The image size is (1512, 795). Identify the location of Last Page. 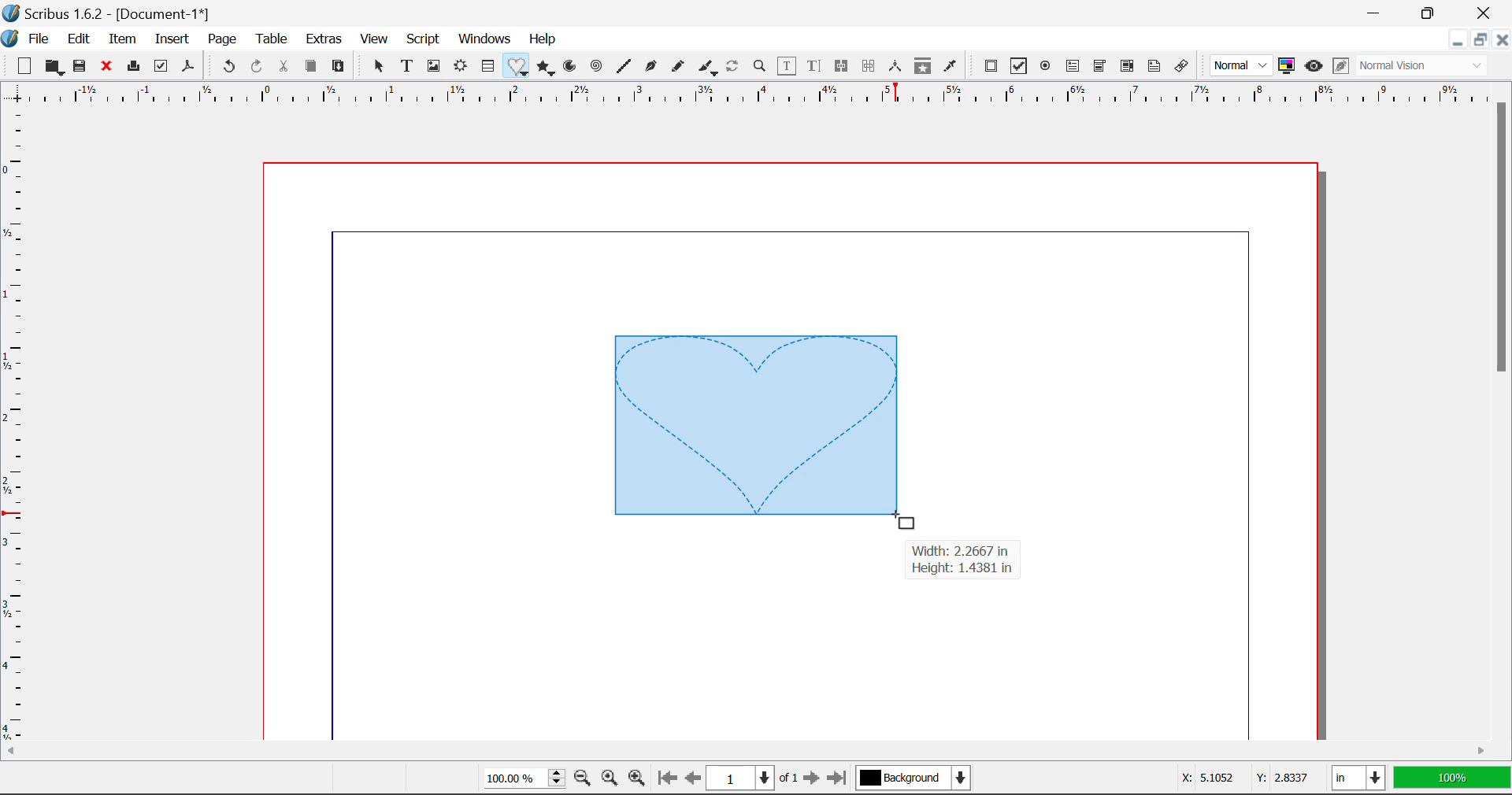
(839, 778).